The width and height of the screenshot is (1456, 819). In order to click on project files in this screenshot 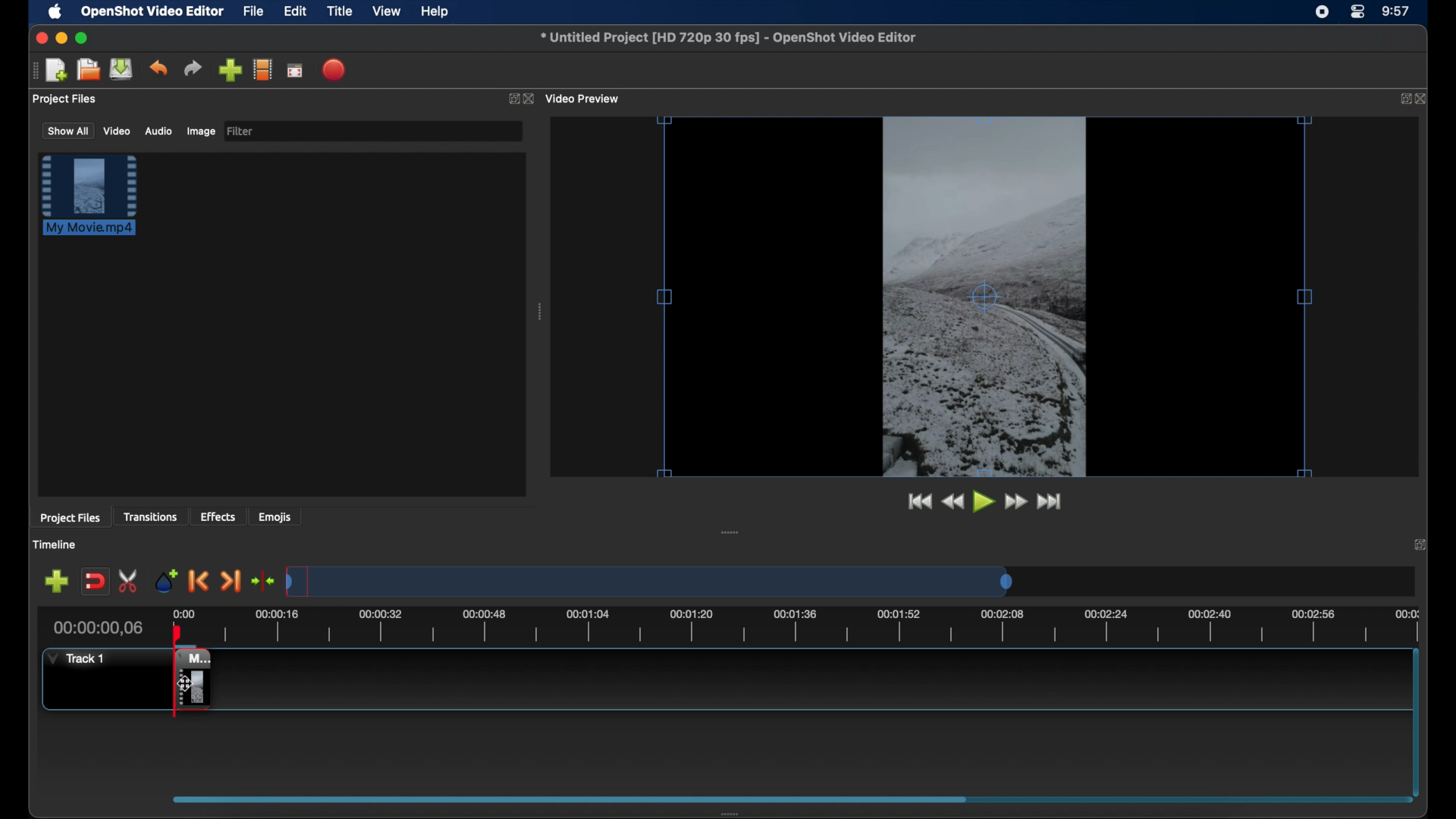, I will do `click(70, 518)`.